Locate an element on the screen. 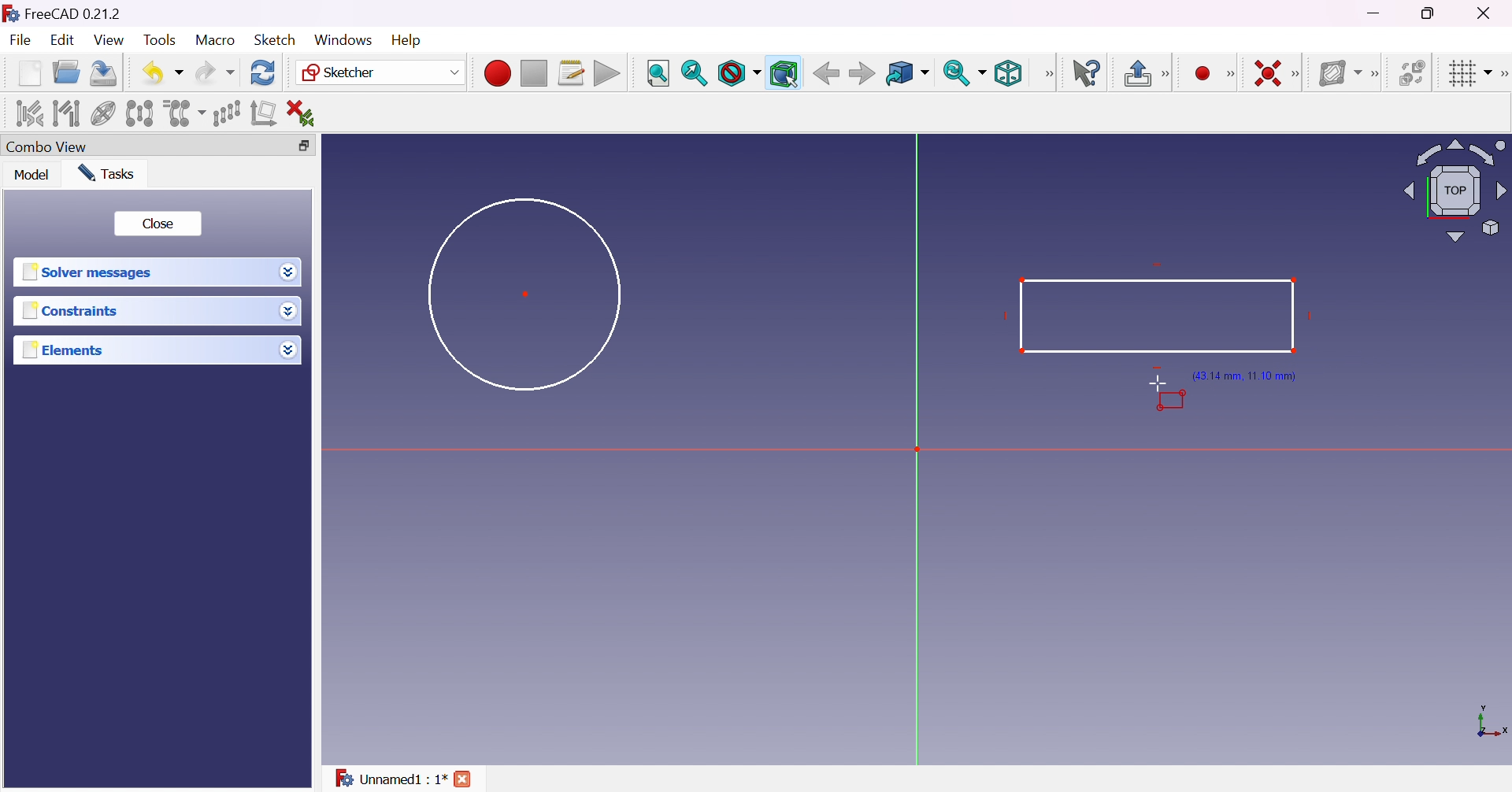 This screenshot has width=1512, height=792. Toggle grid is located at coordinates (1468, 72).